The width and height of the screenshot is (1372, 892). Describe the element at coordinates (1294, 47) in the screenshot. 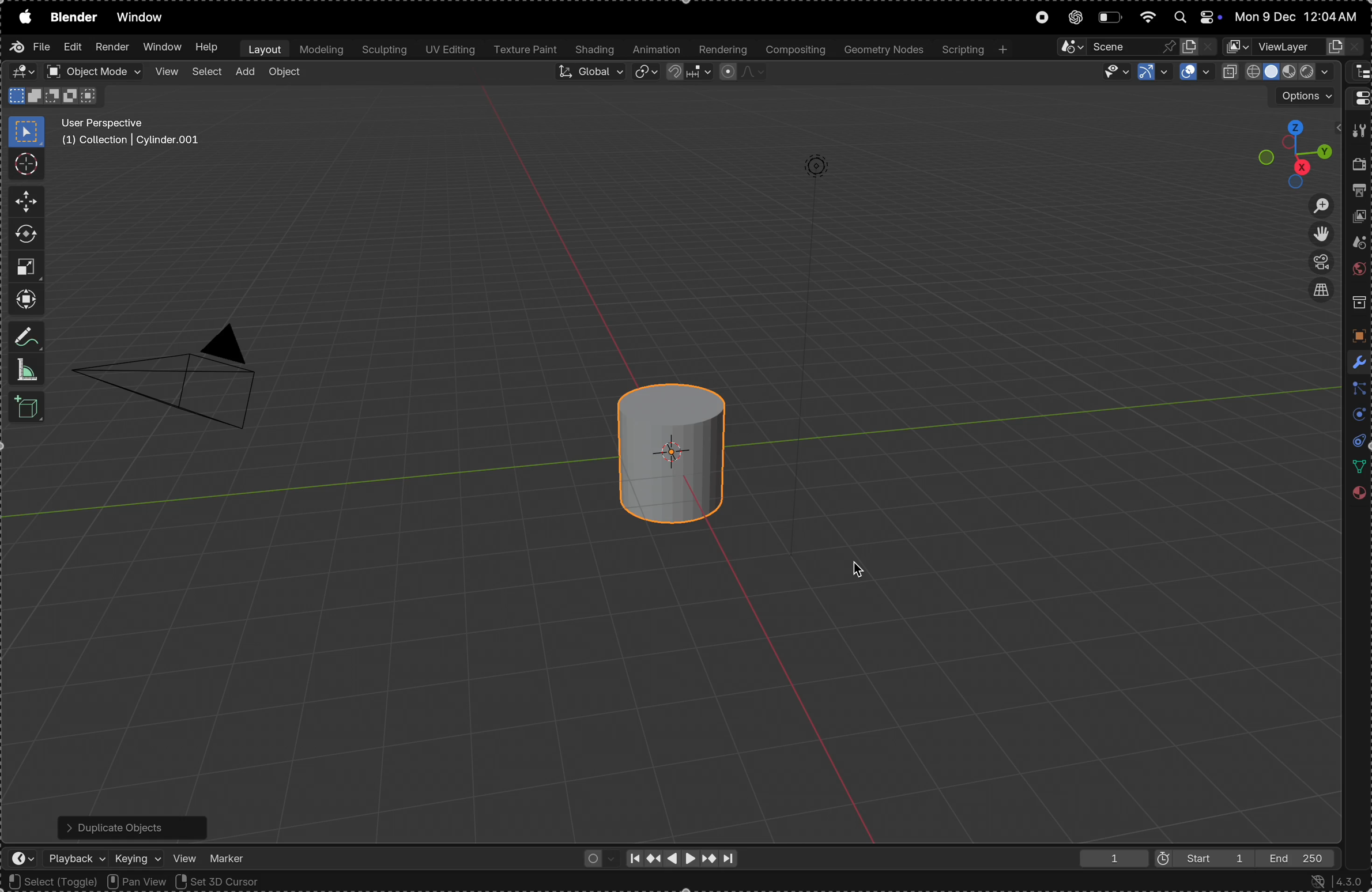

I see `vector layer` at that location.